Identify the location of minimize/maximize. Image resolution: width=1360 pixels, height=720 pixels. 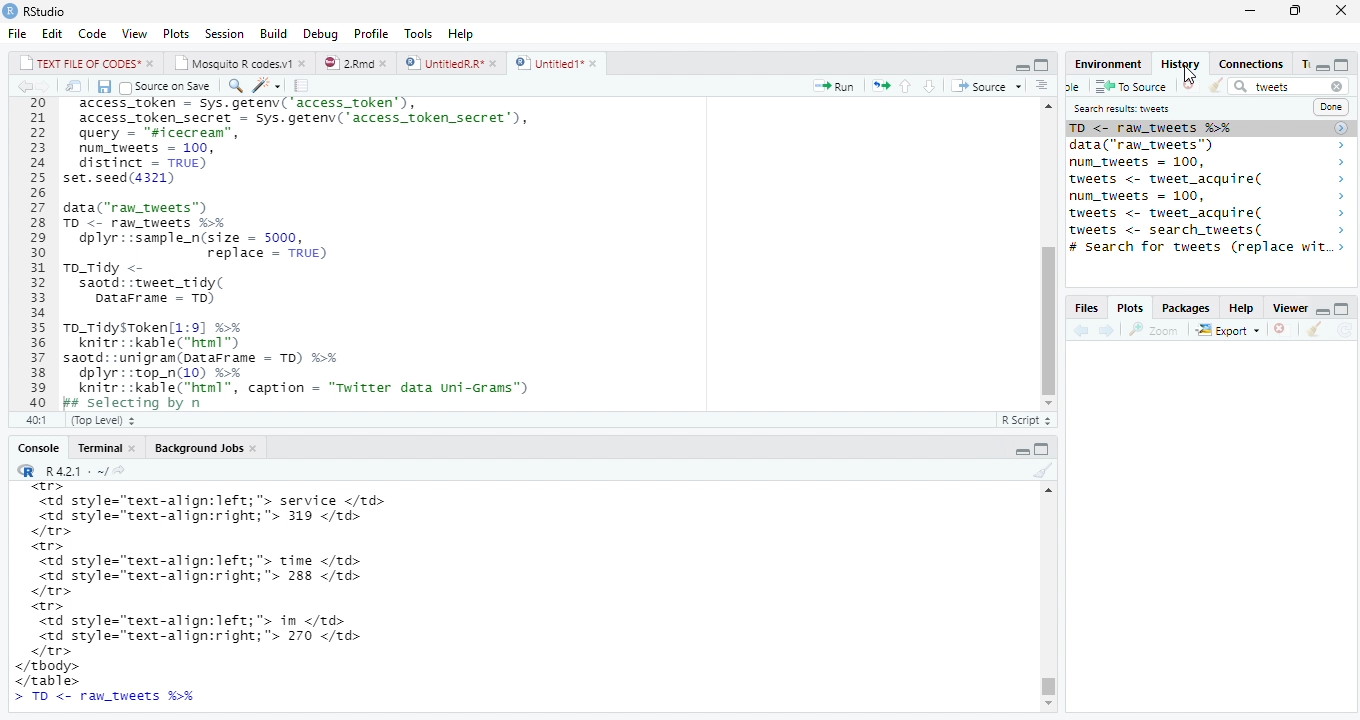
(1336, 306).